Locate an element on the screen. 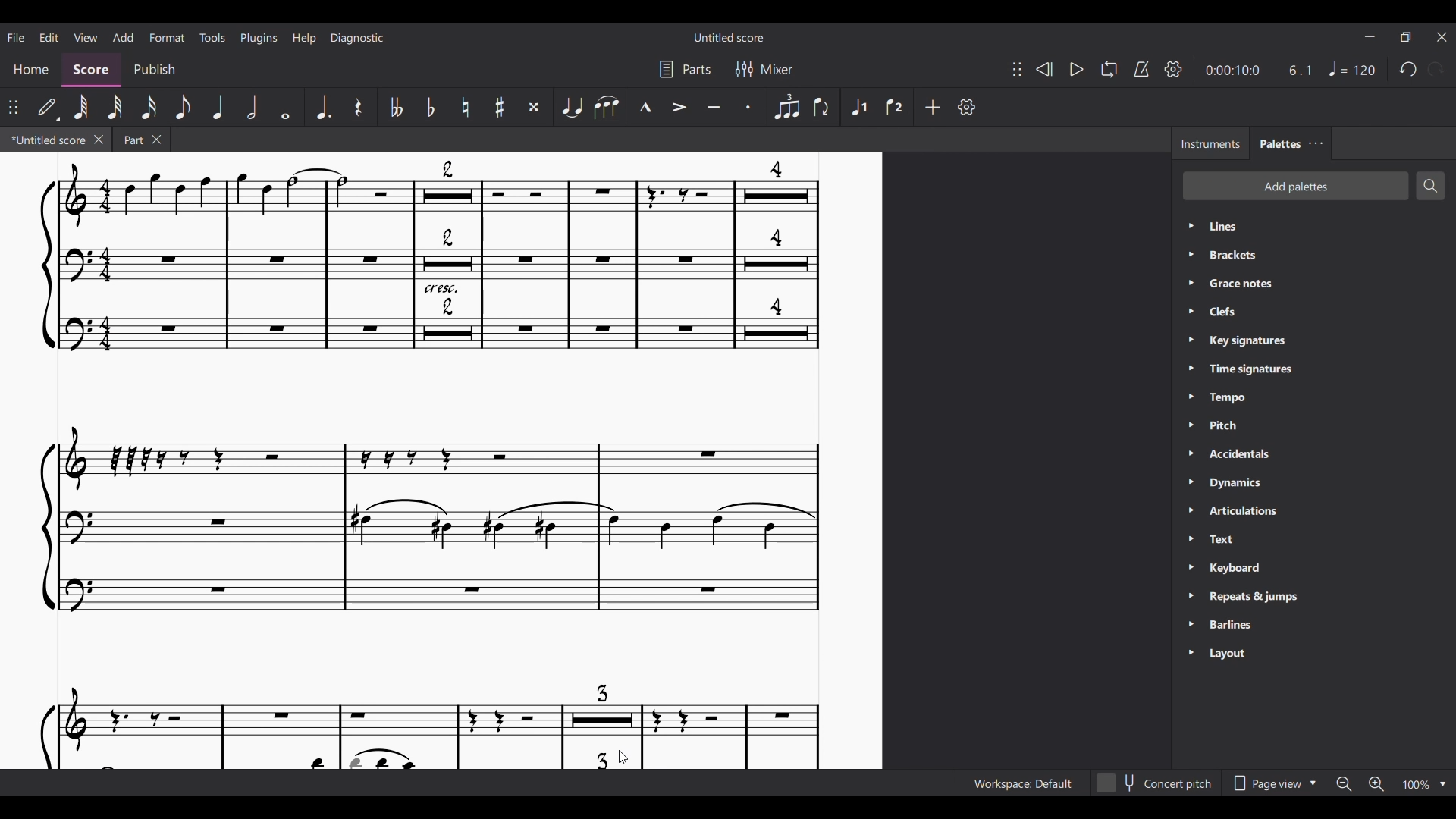  Plugins menu is located at coordinates (259, 38).